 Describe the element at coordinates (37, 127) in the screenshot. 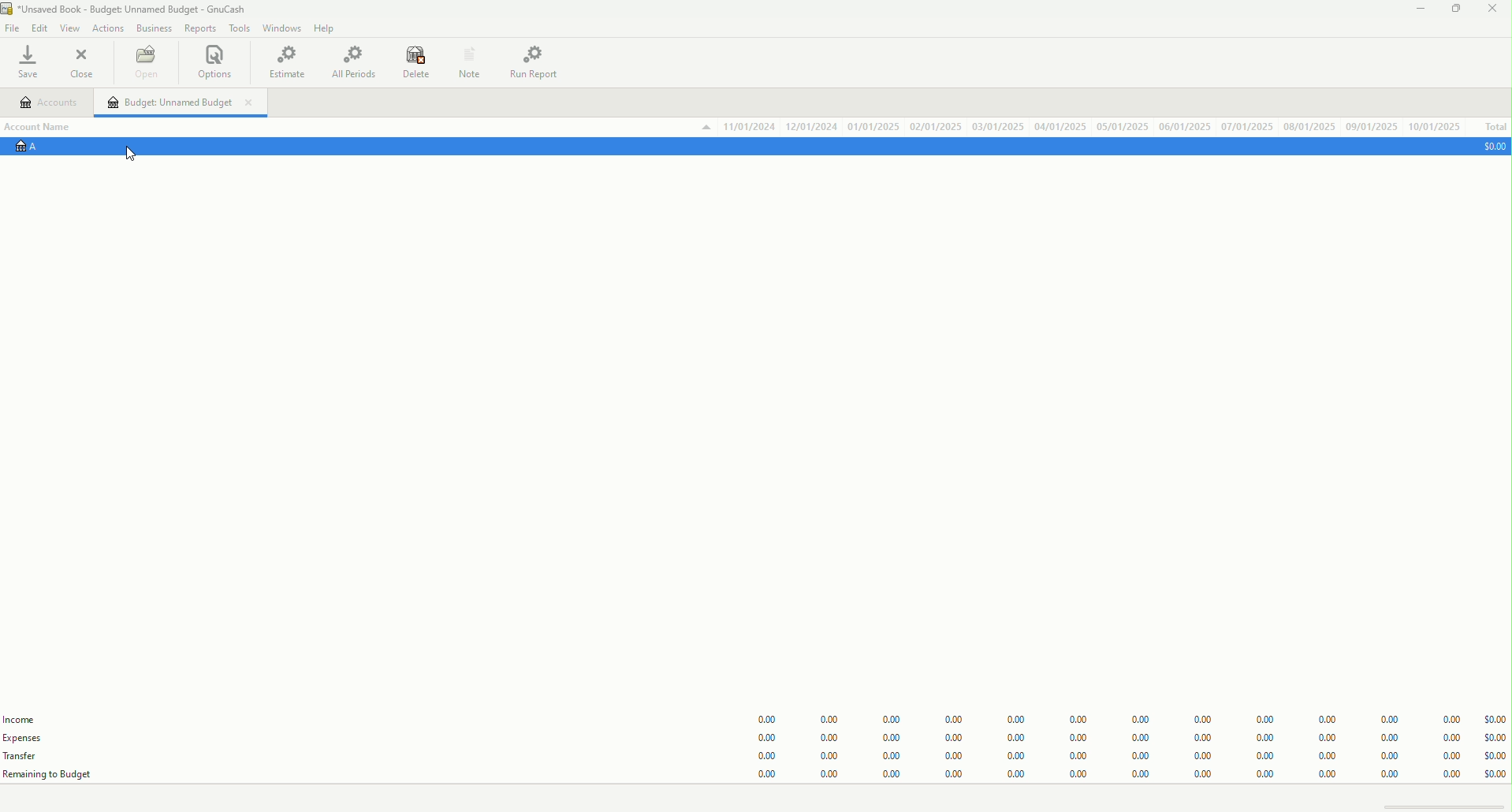

I see `Account name` at that location.